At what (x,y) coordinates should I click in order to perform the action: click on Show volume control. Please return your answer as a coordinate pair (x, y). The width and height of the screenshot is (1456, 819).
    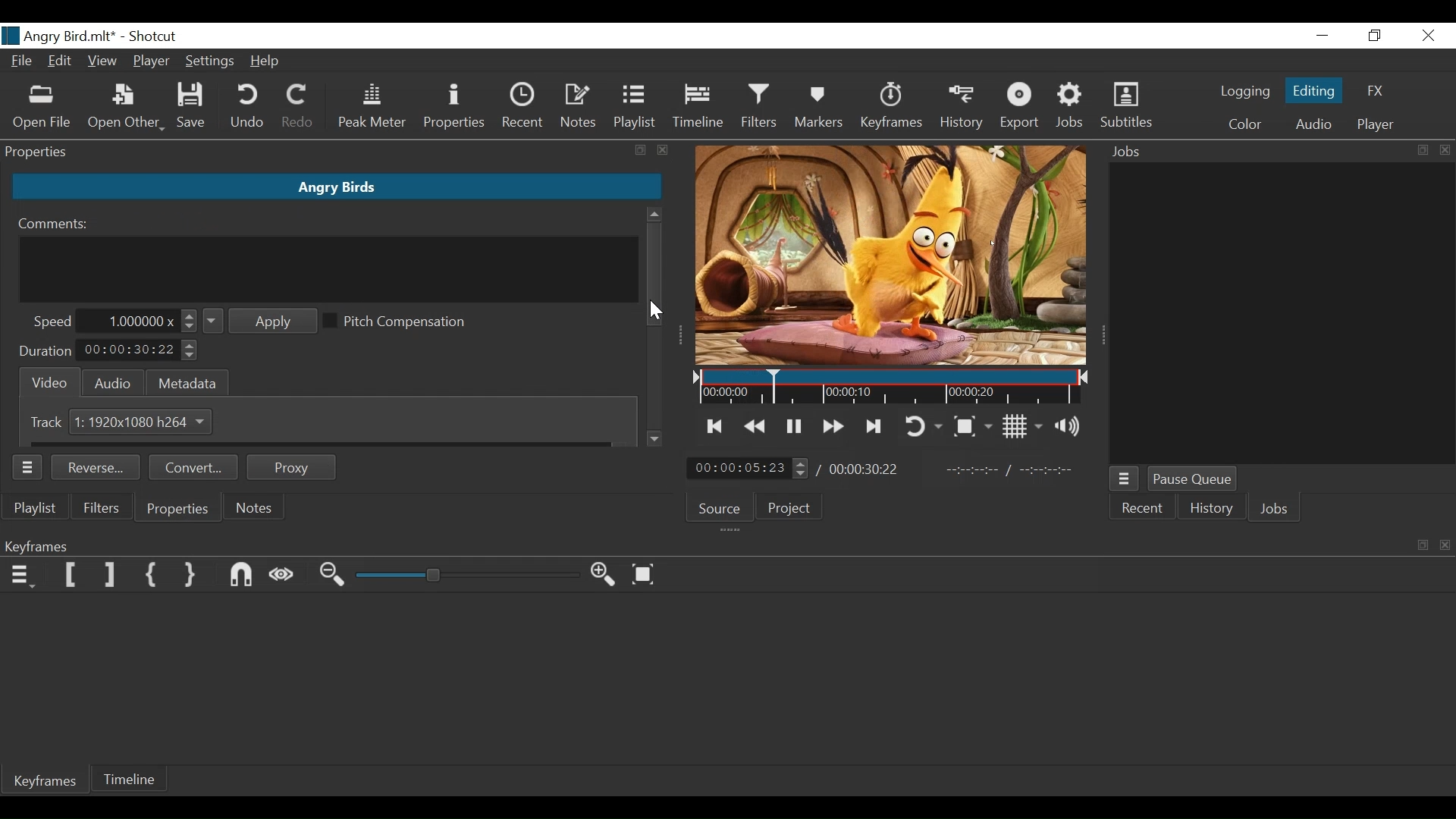
    Looking at the image, I should click on (1070, 428).